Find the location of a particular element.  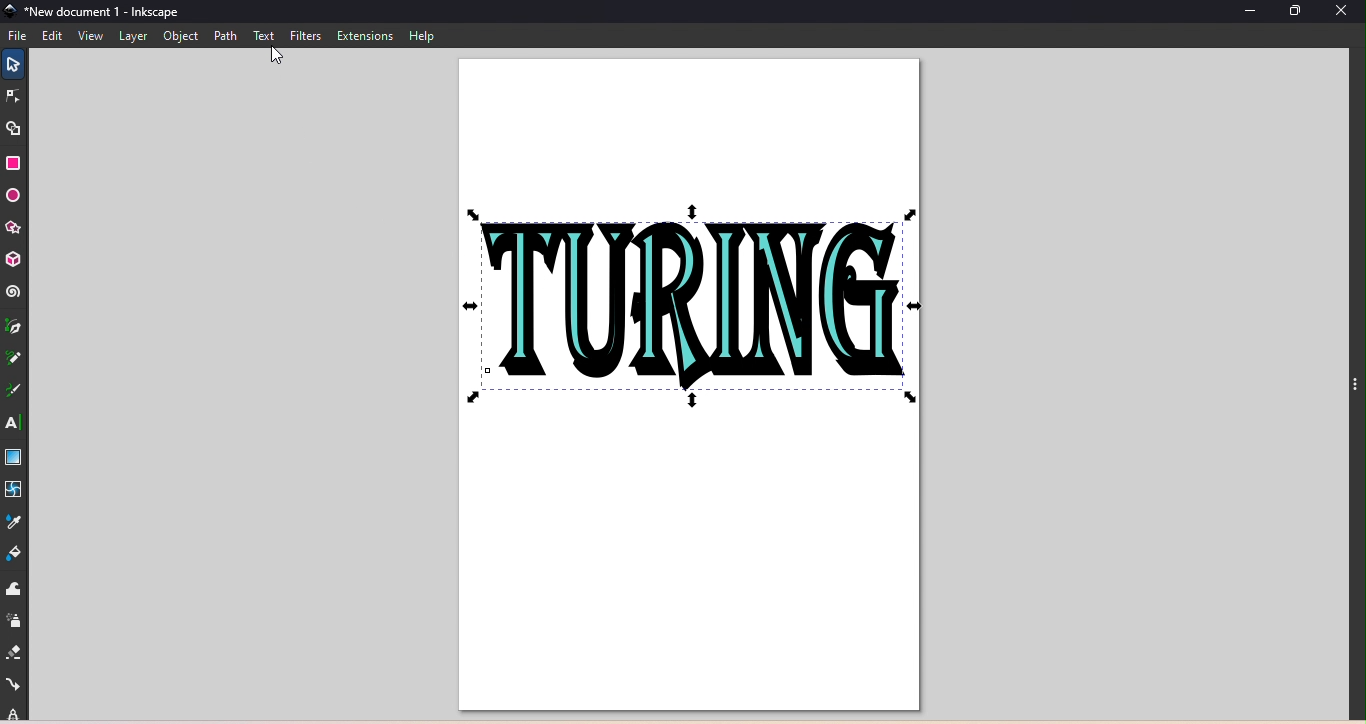

Help is located at coordinates (421, 36).